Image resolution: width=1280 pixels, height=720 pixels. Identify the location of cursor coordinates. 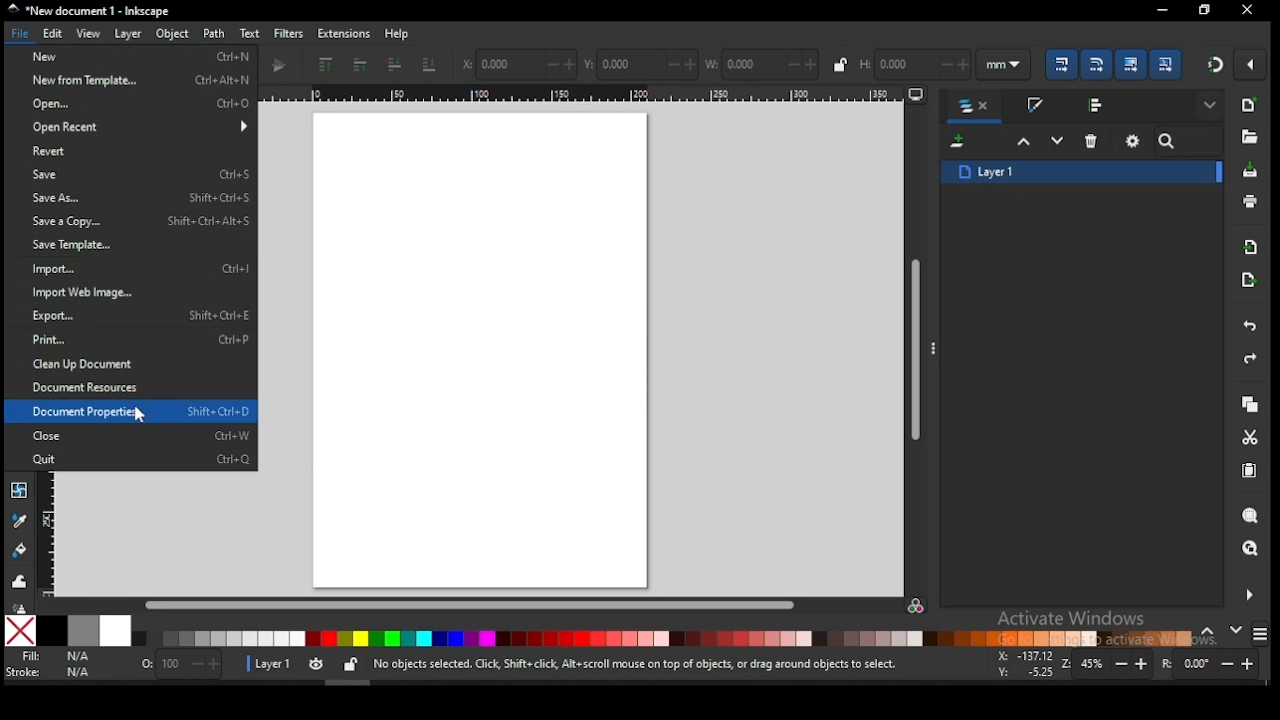
(1023, 662).